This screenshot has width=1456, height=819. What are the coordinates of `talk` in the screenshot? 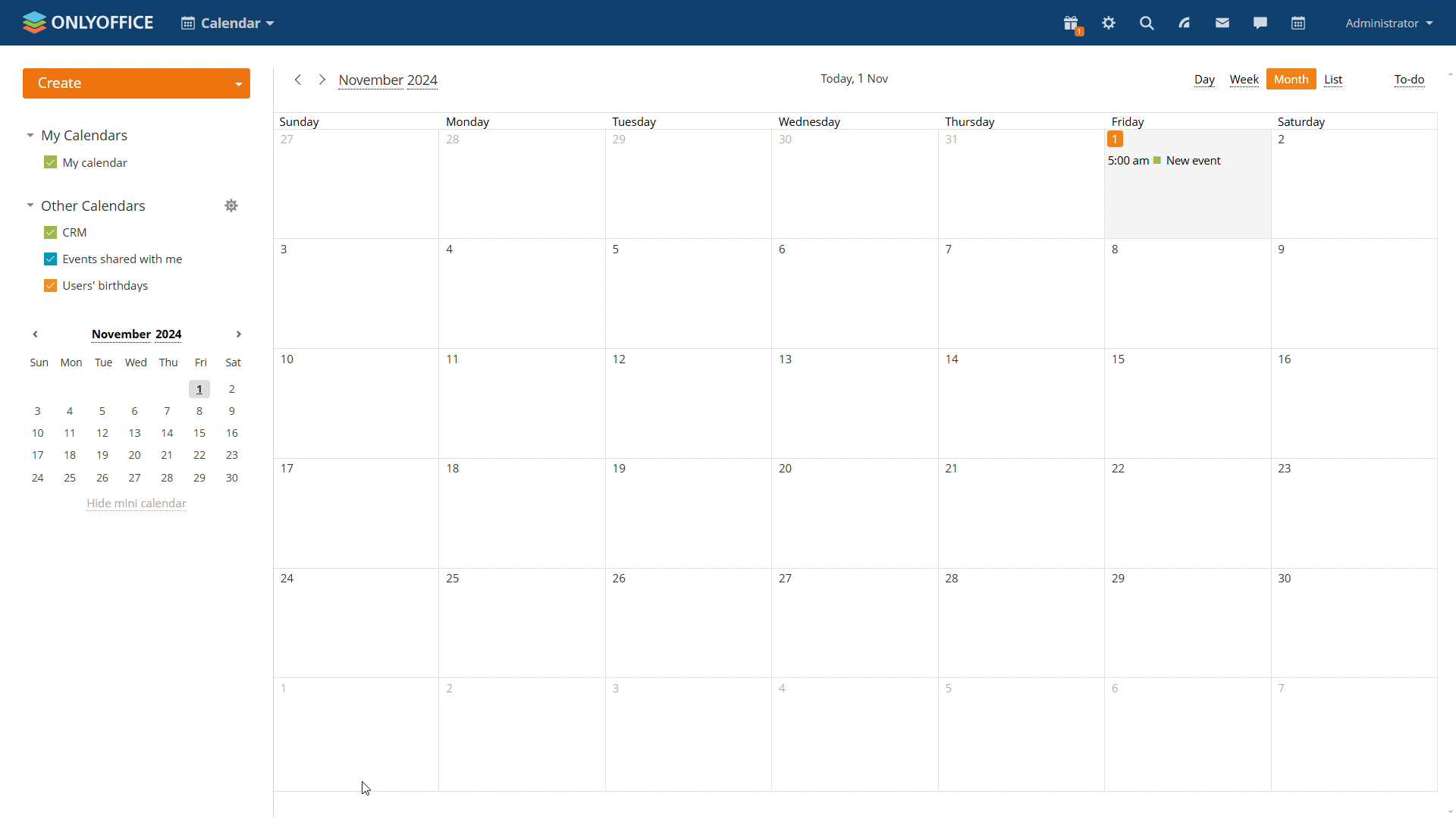 It's located at (1260, 23).